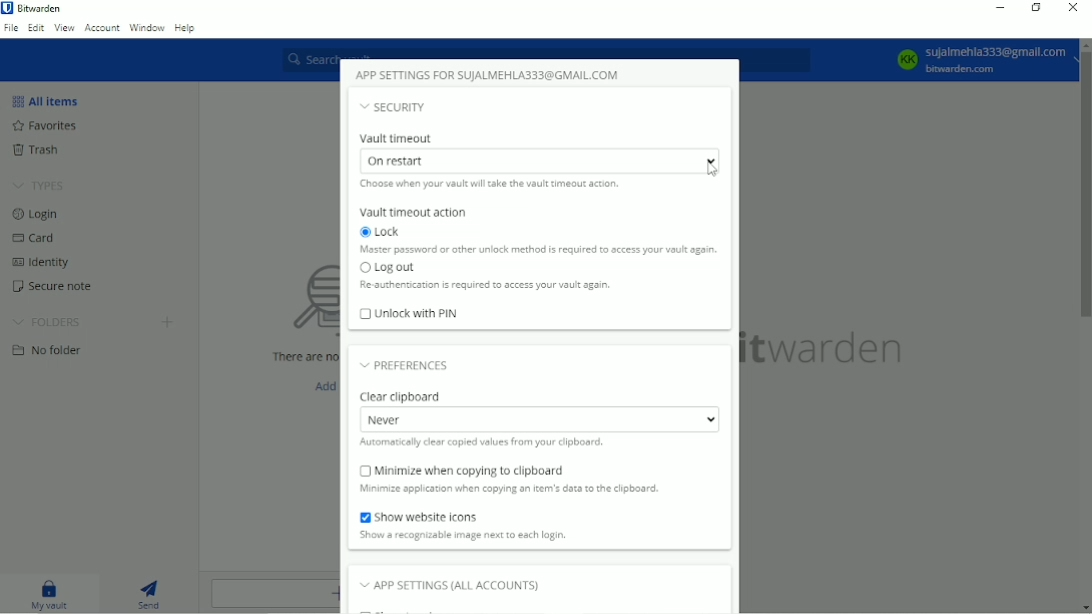  What do you see at coordinates (49, 319) in the screenshot?
I see `Folders` at bounding box center [49, 319].